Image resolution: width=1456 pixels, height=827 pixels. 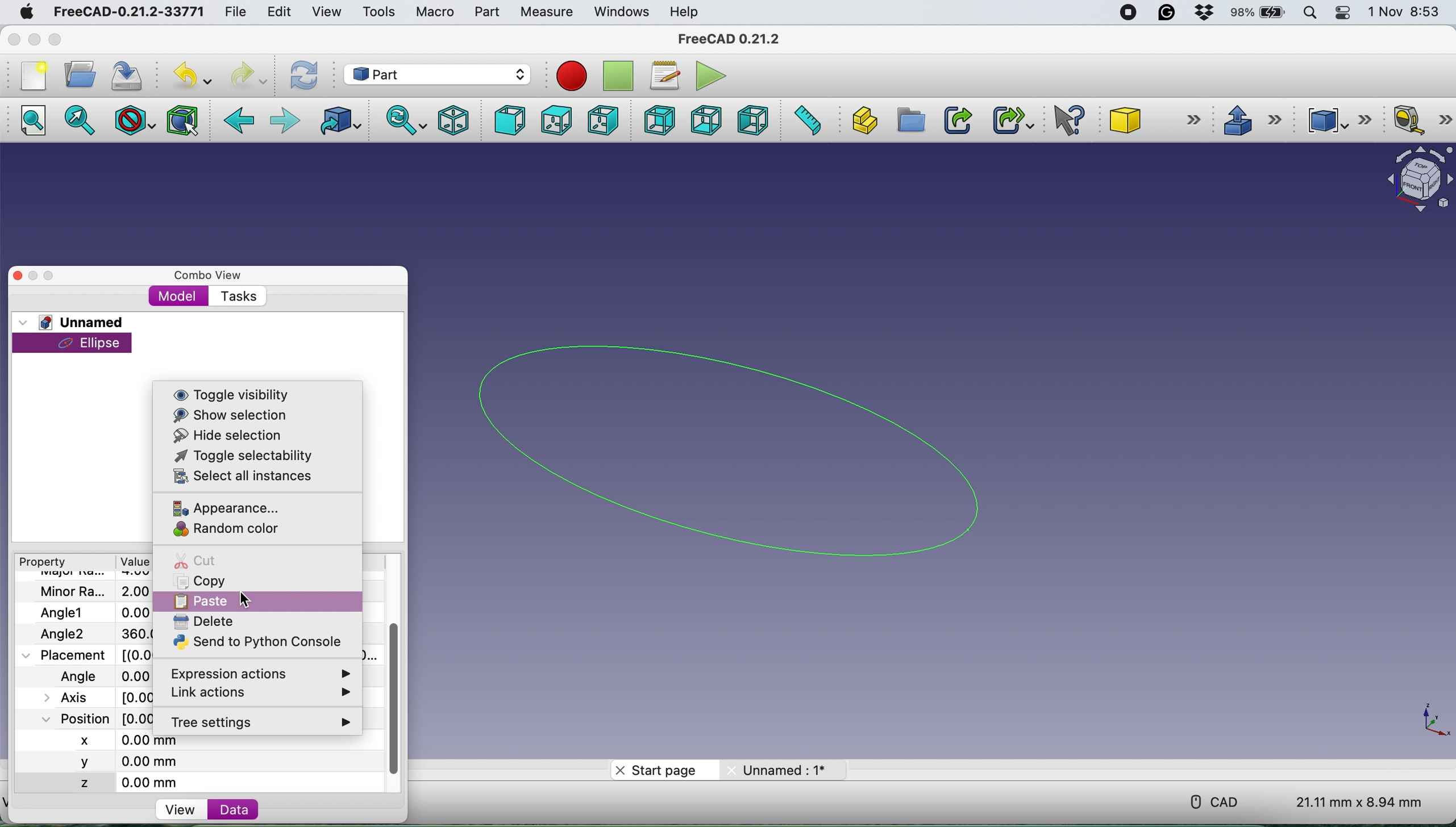 What do you see at coordinates (1341, 13) in the screenshot?
I see `control center` at bounding box center [1341, 13].